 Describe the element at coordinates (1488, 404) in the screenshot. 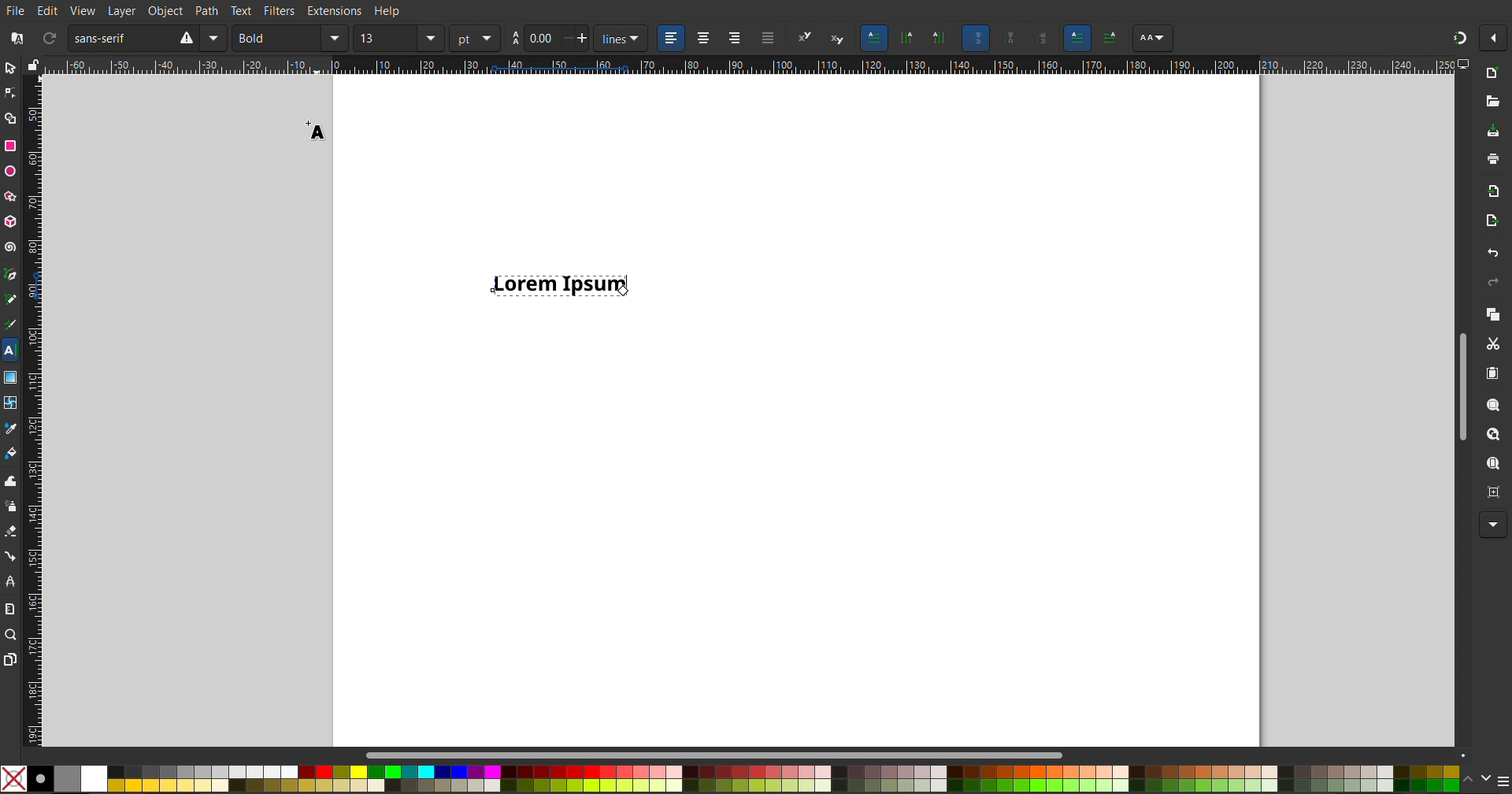

I see `Zoom Selection` at that location.